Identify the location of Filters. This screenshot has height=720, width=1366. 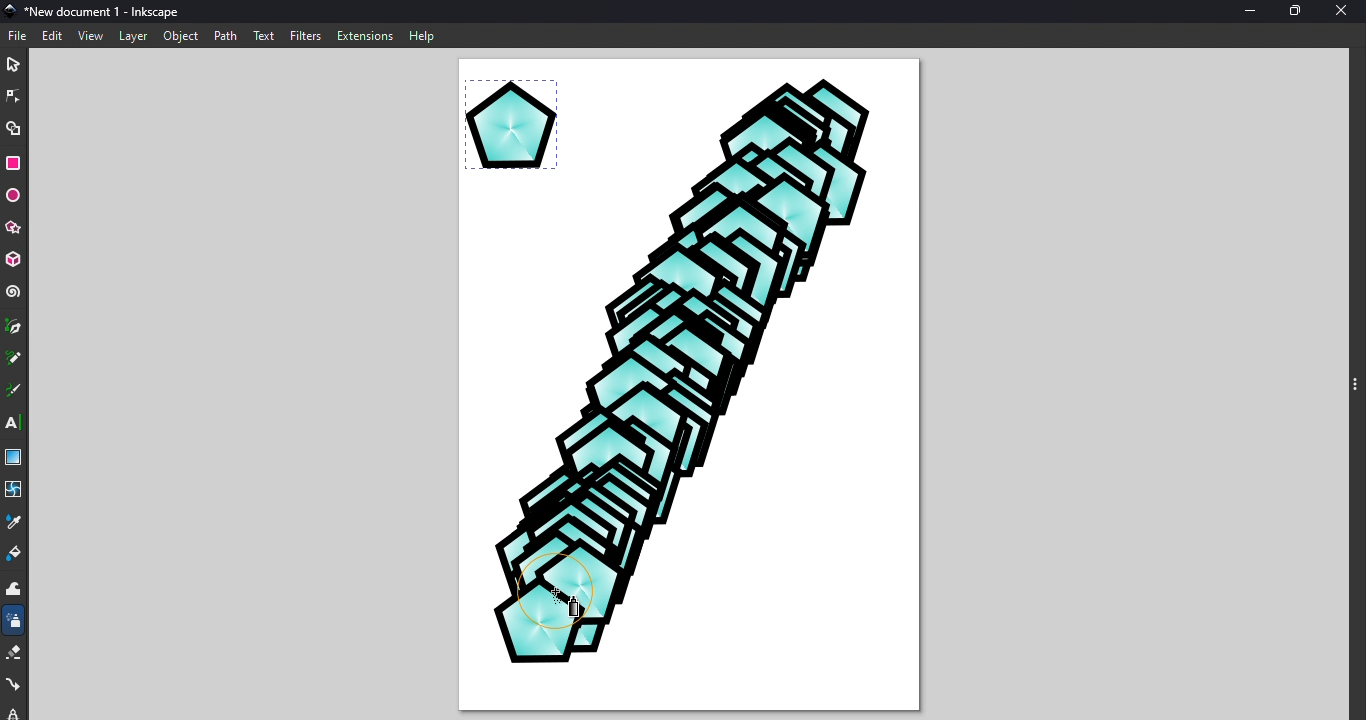
(306, 35).